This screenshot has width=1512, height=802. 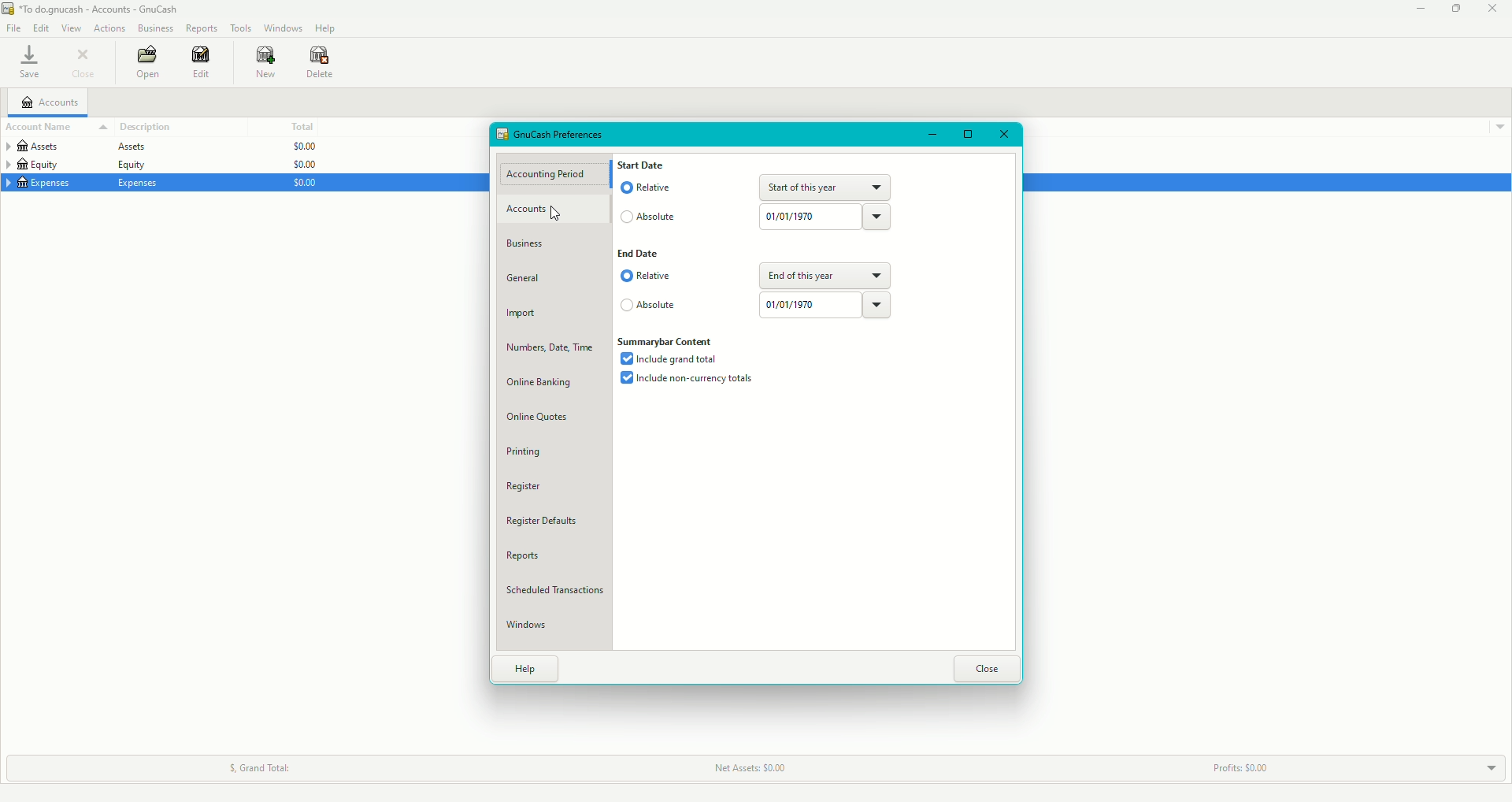 I want to click on Summarybar content, so click(x=671, y=343).